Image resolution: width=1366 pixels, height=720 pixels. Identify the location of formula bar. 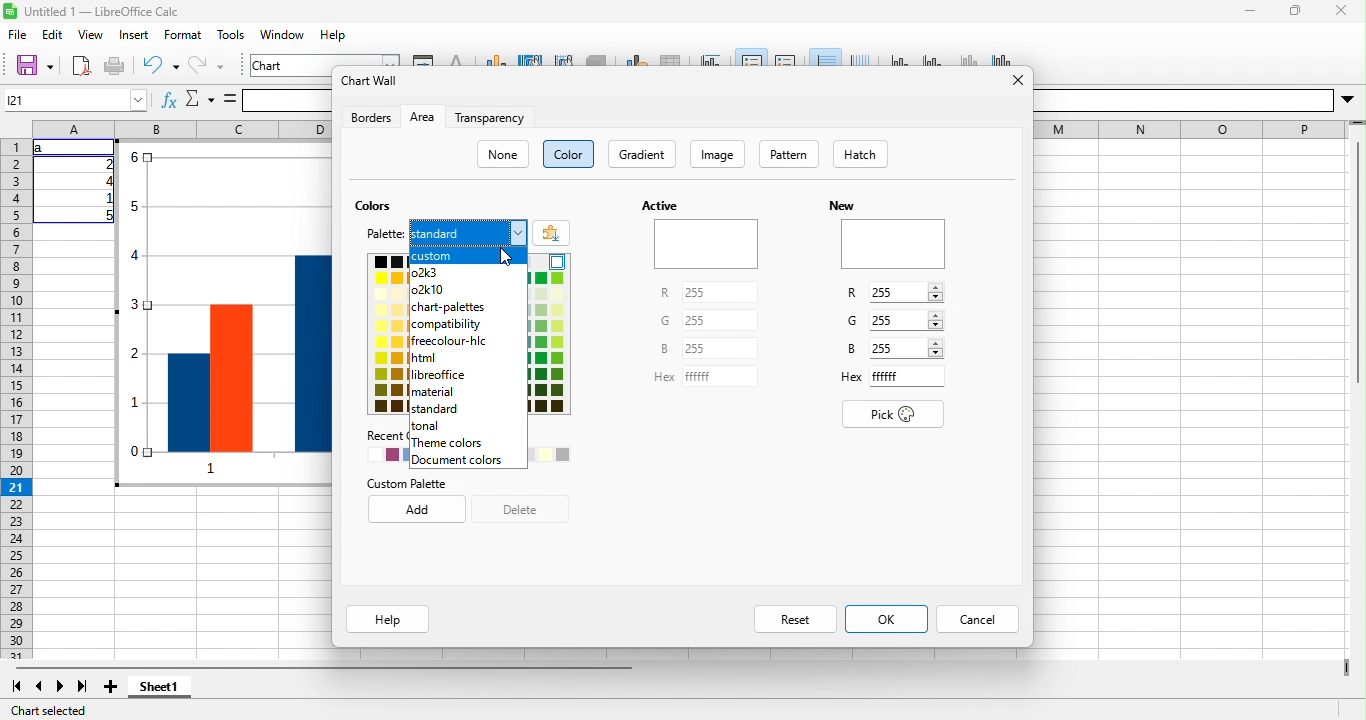
(287, 101).